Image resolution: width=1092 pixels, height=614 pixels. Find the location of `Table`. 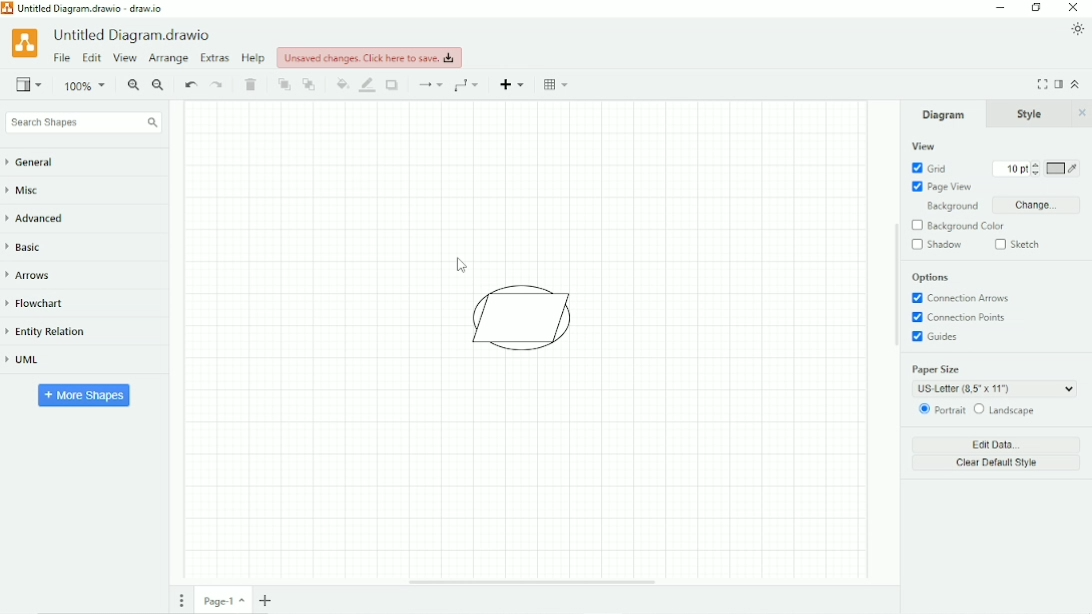

Table is located at coordinates (558, 84).